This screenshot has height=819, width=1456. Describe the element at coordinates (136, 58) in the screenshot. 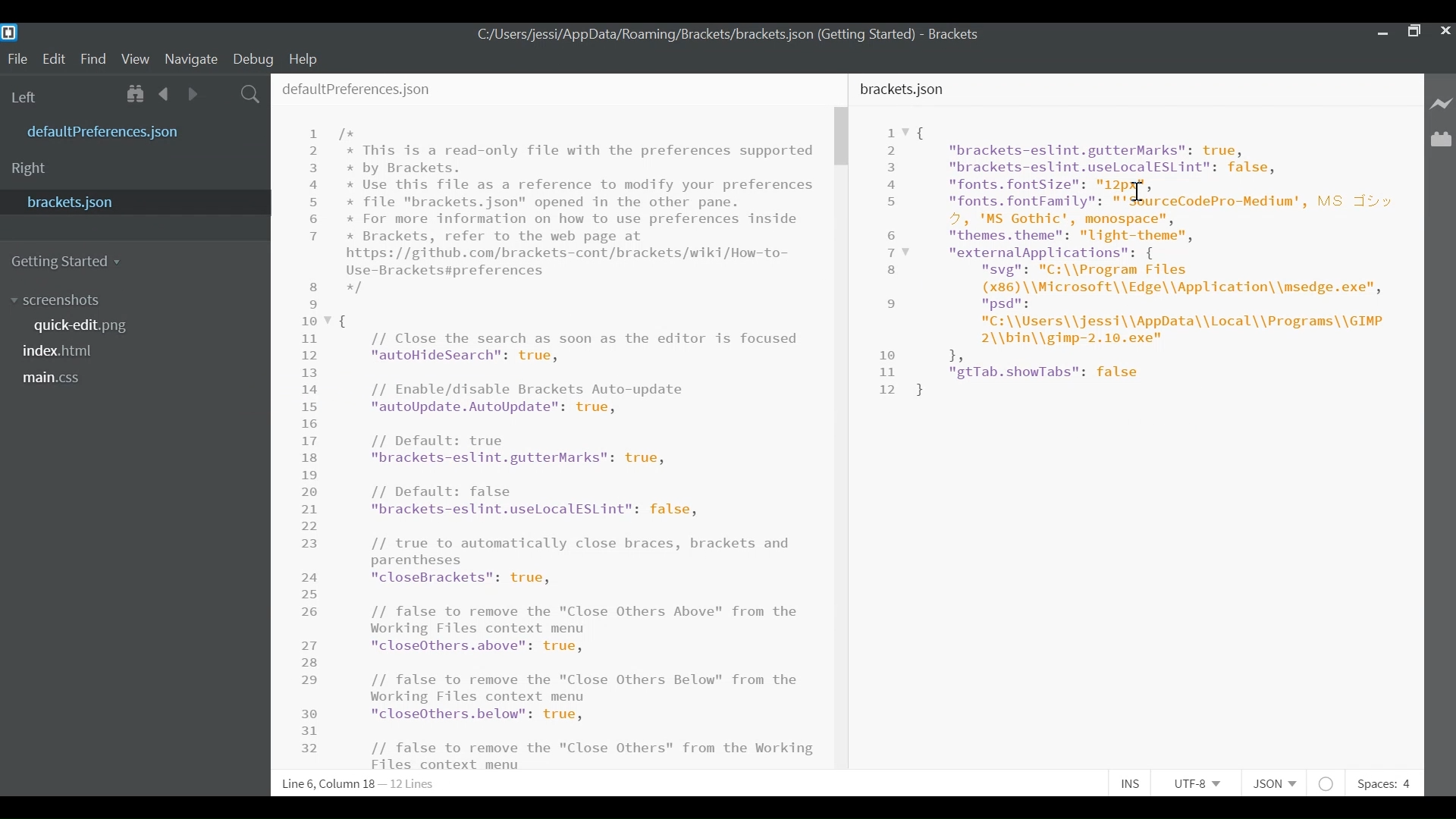

I see `View ` at that location.